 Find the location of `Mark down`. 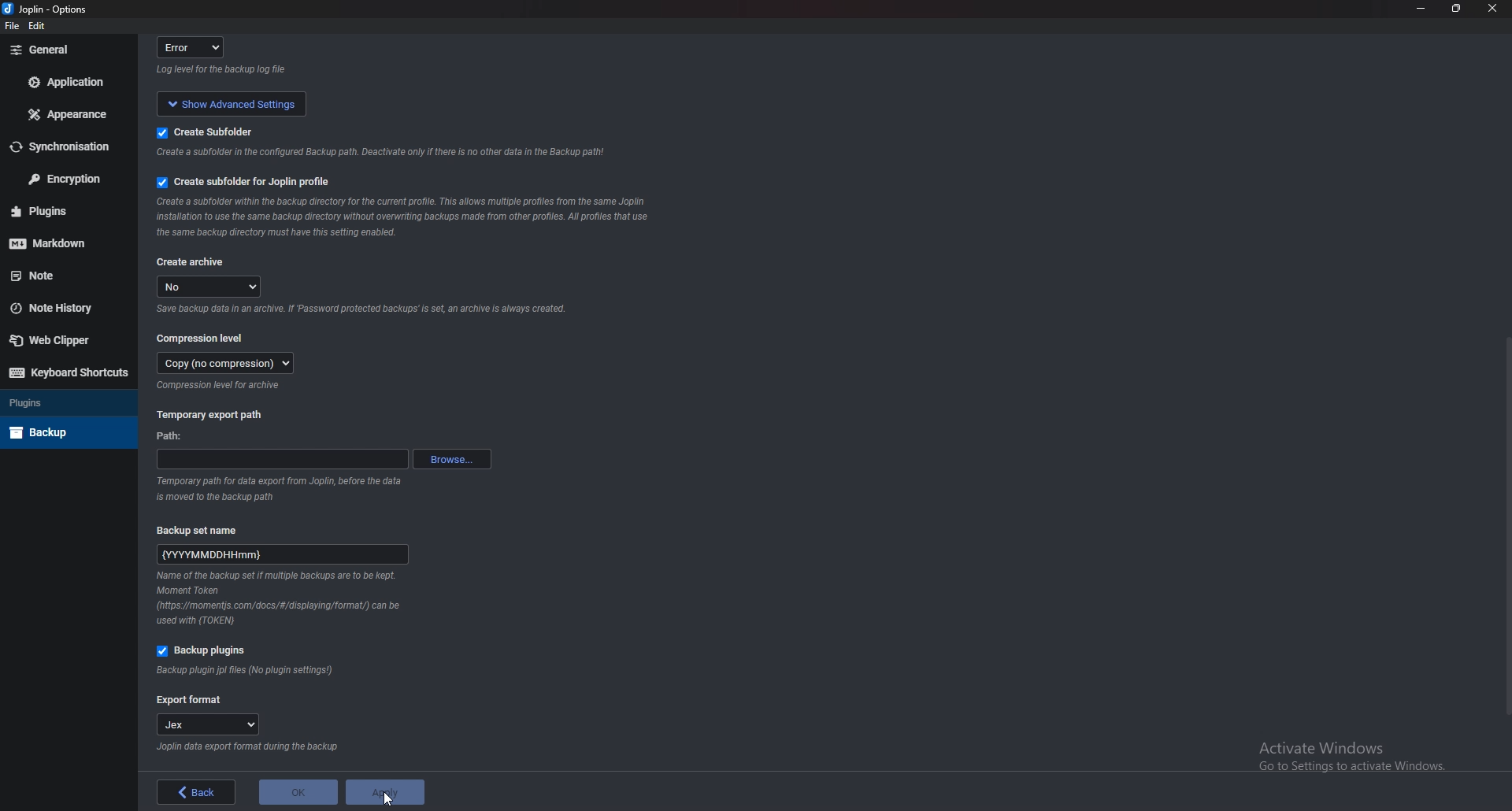

Mark down is located at coordinates (59, 241).